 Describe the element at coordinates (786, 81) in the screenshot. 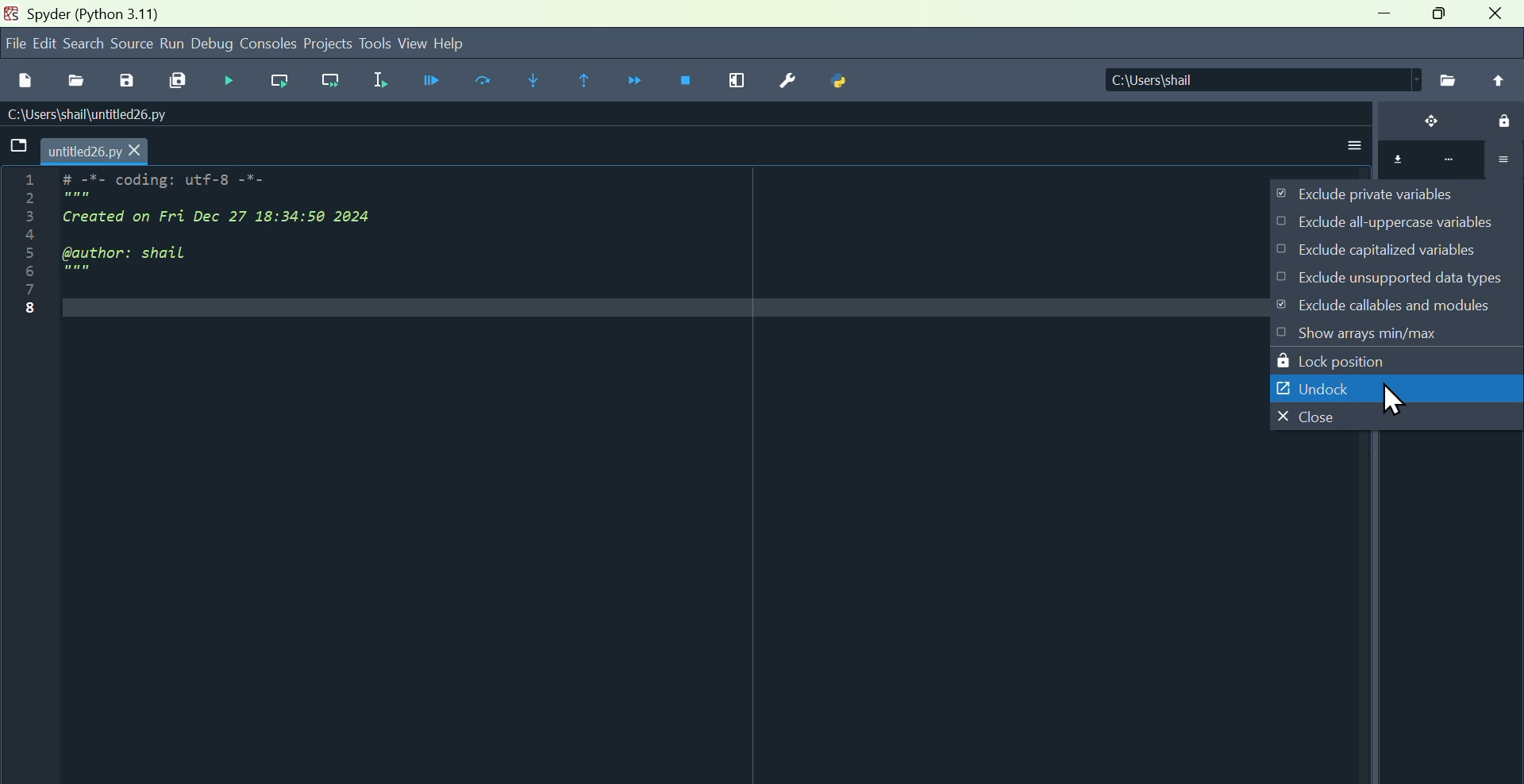

I see `Preferences` at that location.